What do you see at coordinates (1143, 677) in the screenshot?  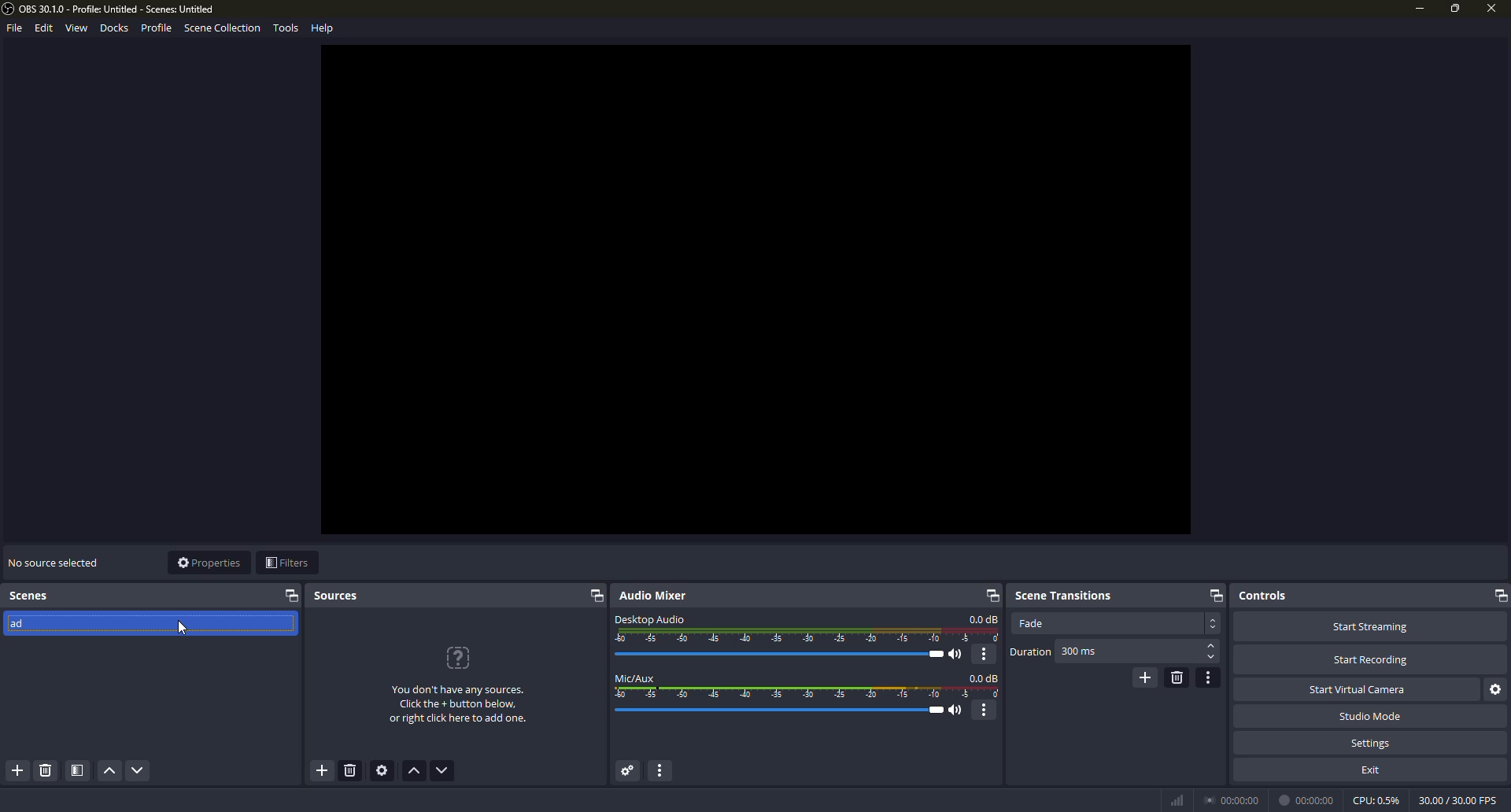 I see `add configurable transition` at bounding box center [1143, 677].